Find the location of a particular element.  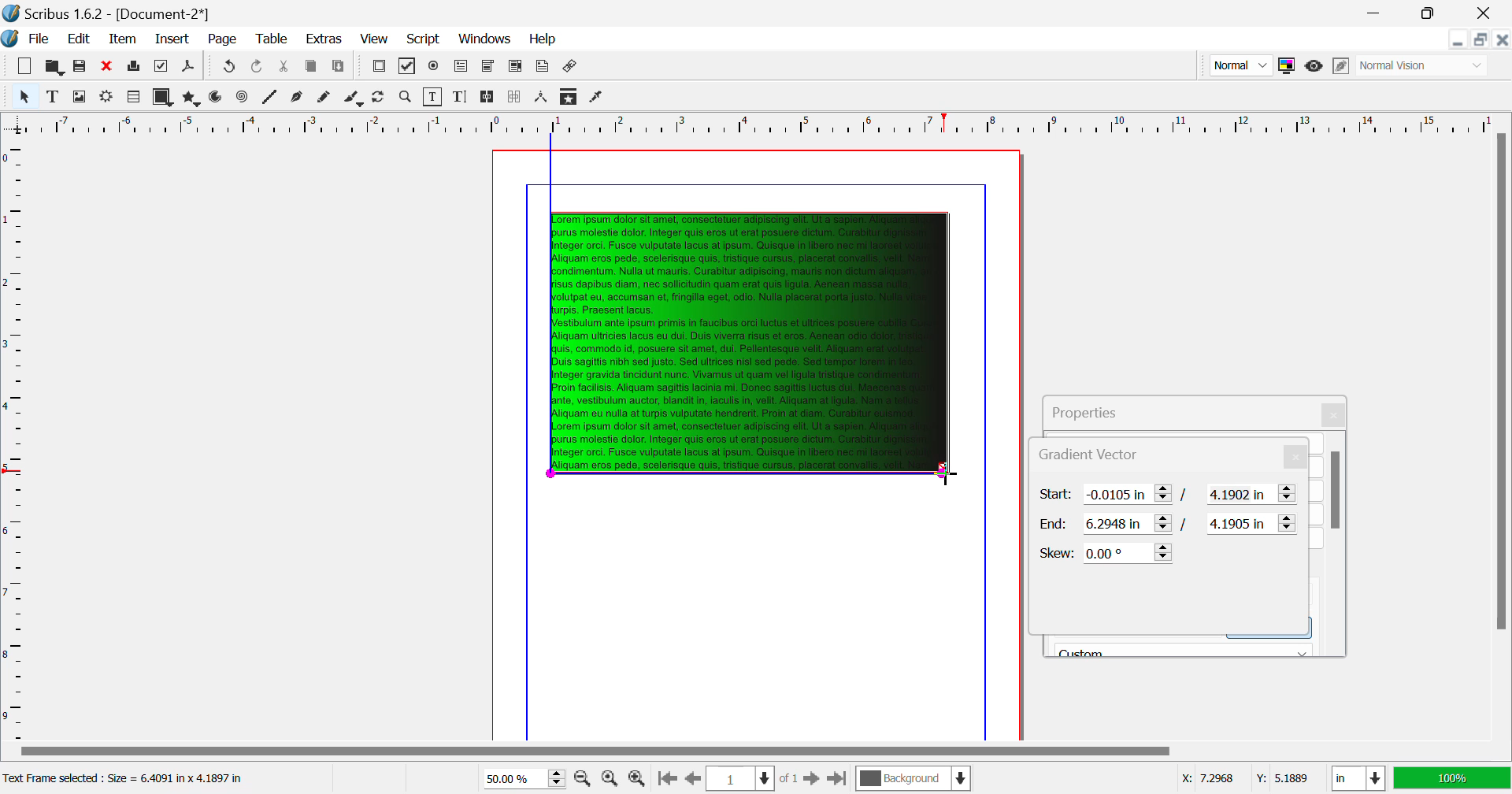

Background is located at coordinates (913, 780).